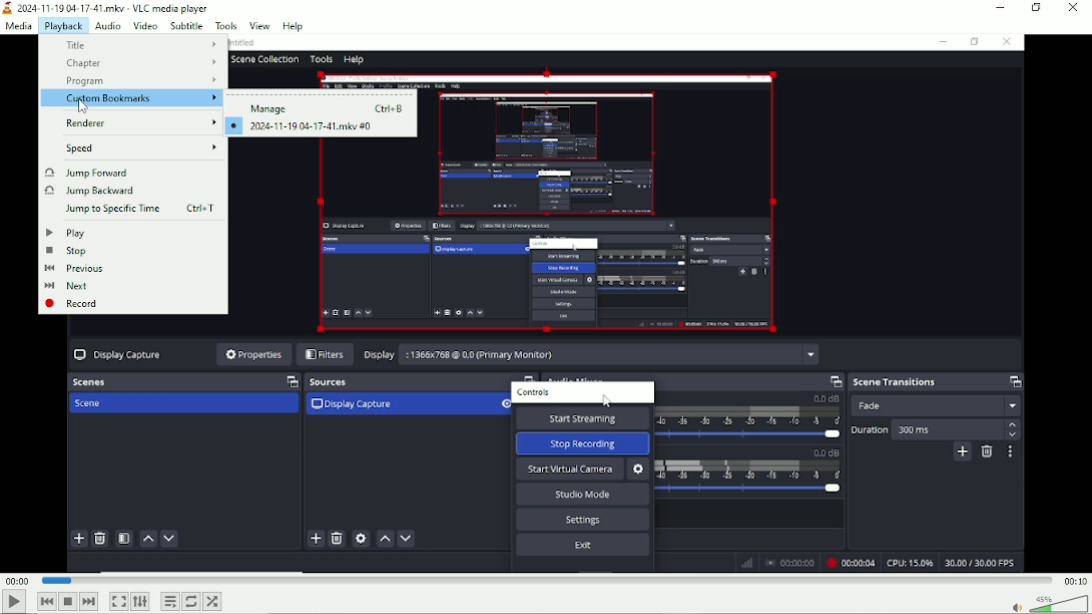 This screenshot has width=1092, height=614. Describe the element at coordinates (13, 602) in the screenshot. I see `Play` at that location.